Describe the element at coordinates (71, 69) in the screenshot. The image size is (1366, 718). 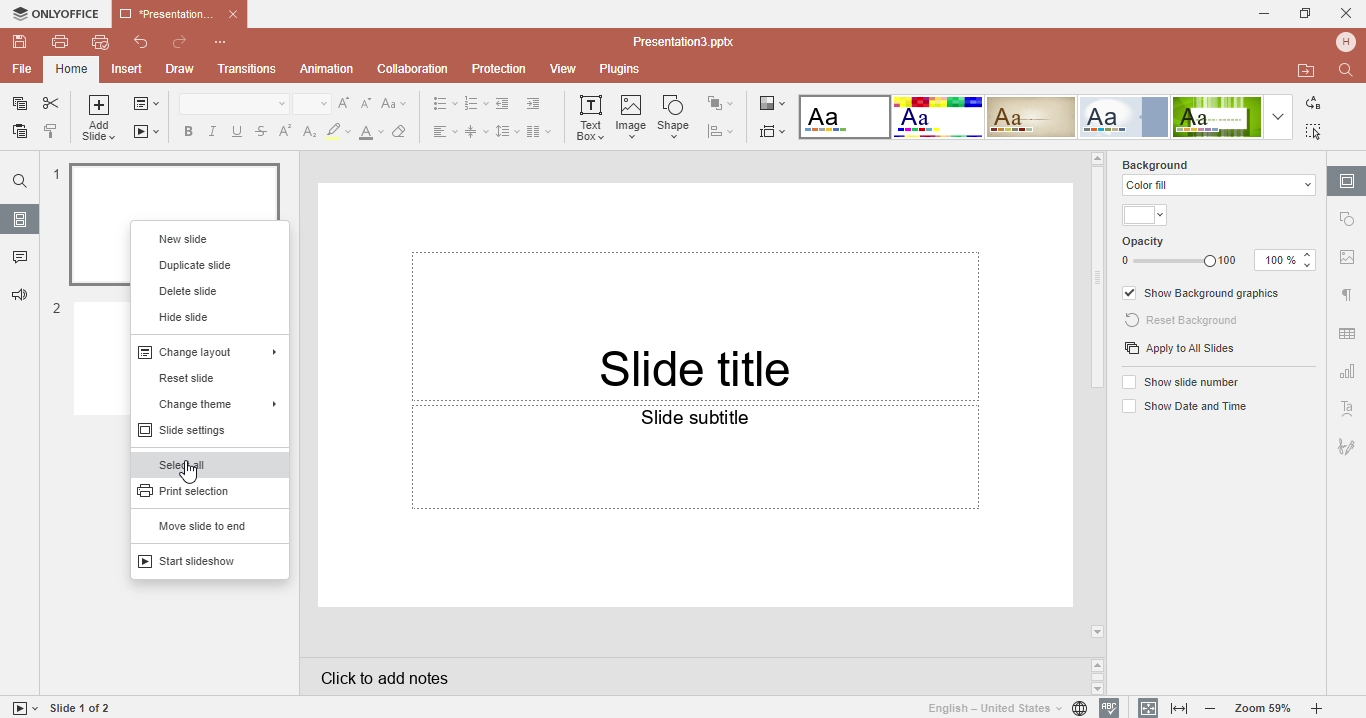
I see `Home` at that location.